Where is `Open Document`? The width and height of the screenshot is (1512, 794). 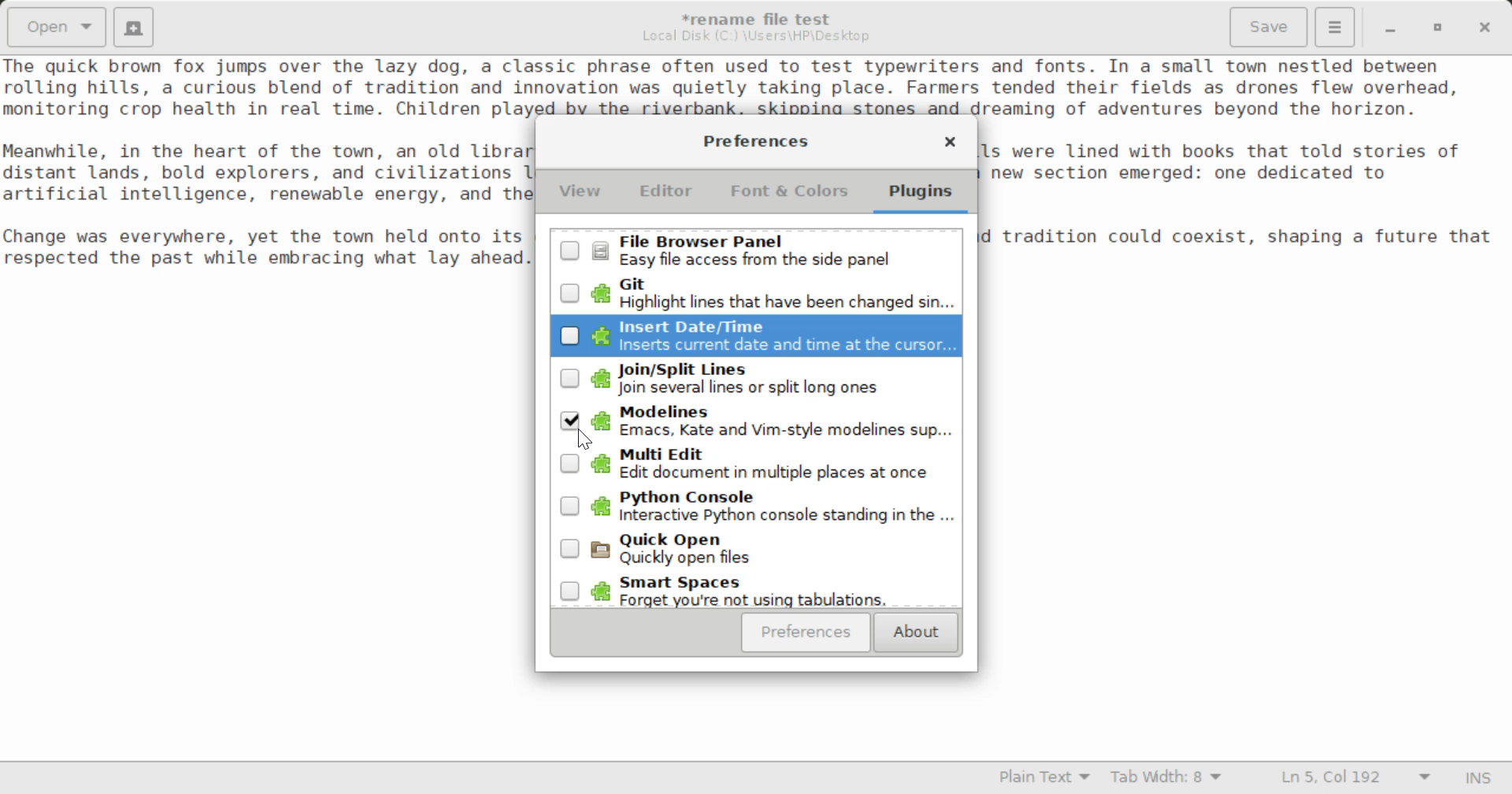 Open Document is located at coordinates (57, 25).